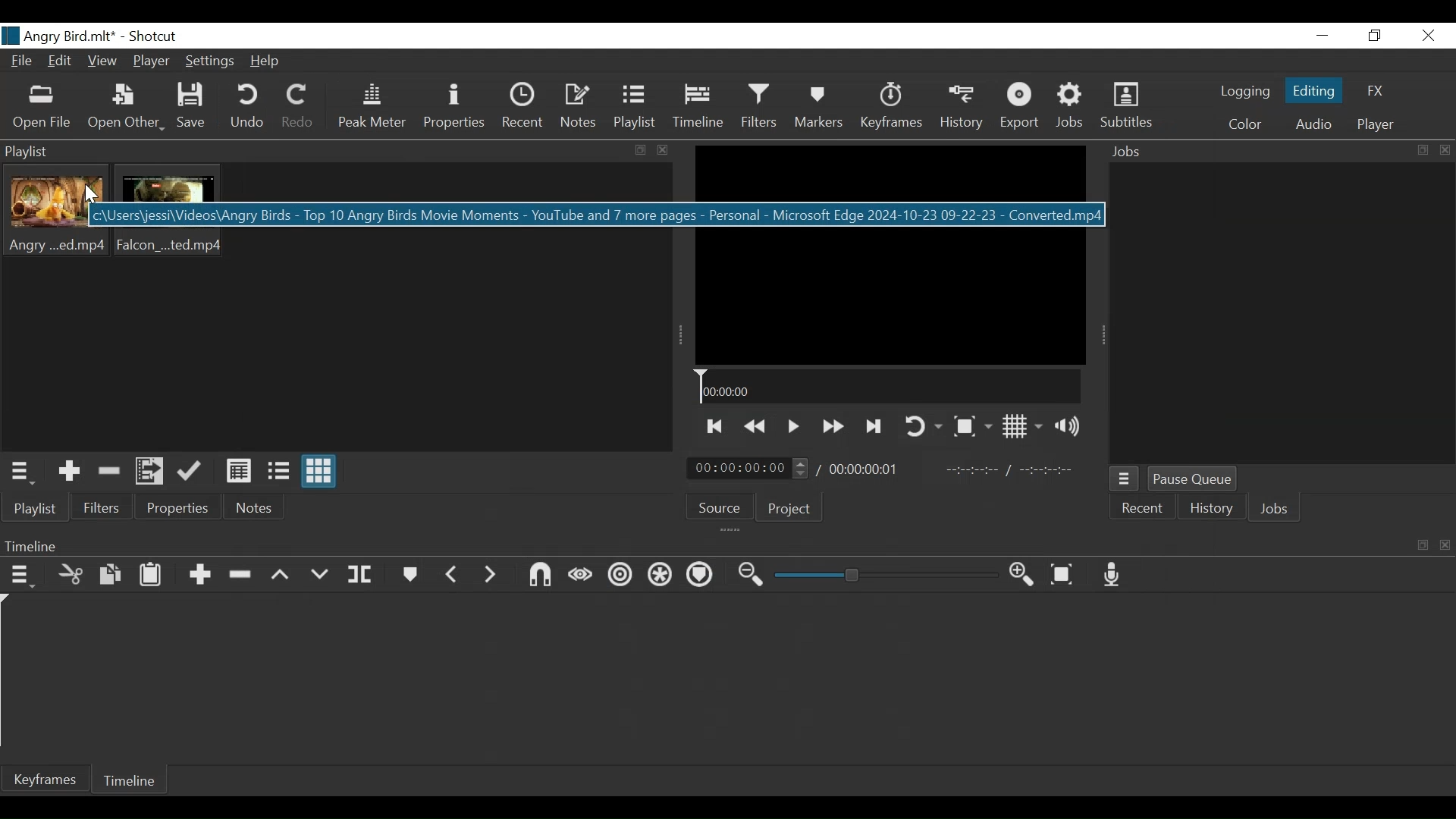 The image size is (1456, 819). Describe the element at coordinates (1275, 152) in the screenshot. I see `Jobs Panel` at that location.